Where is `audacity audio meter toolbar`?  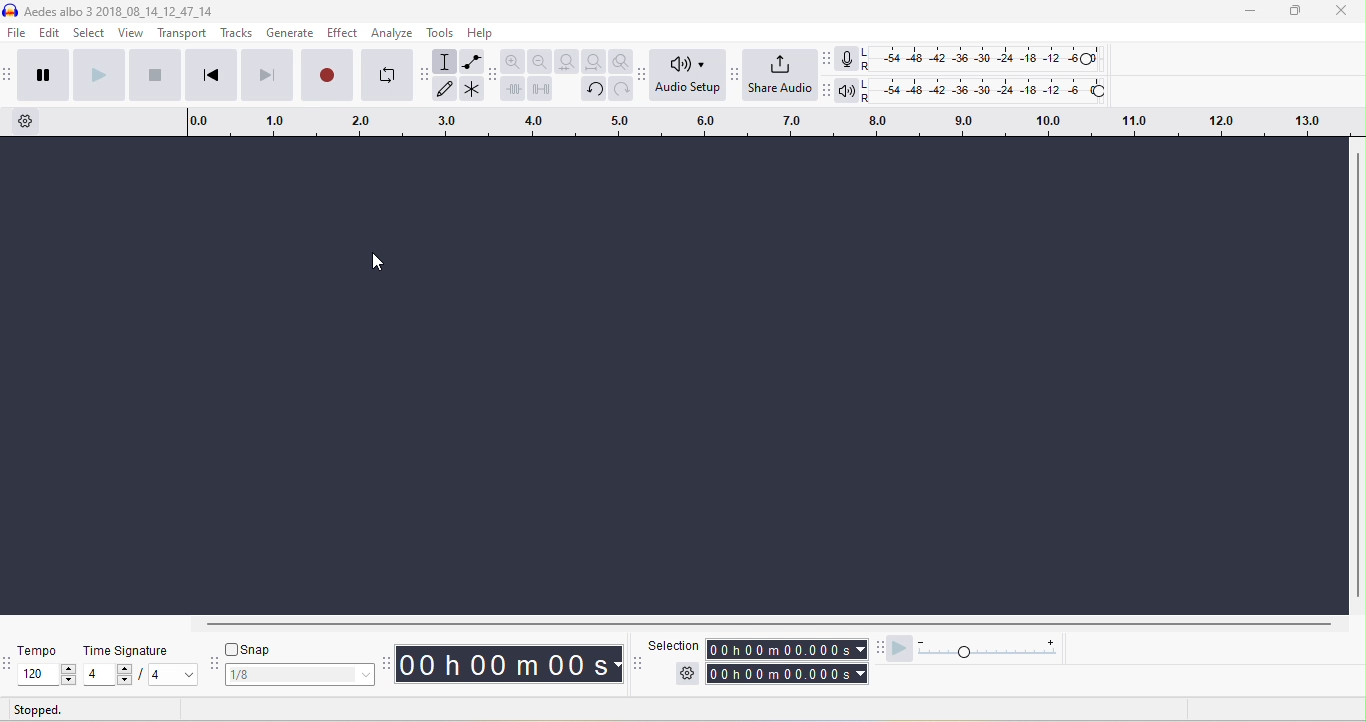
audacity audio meter toolbar is located at coordinates (827, 58).